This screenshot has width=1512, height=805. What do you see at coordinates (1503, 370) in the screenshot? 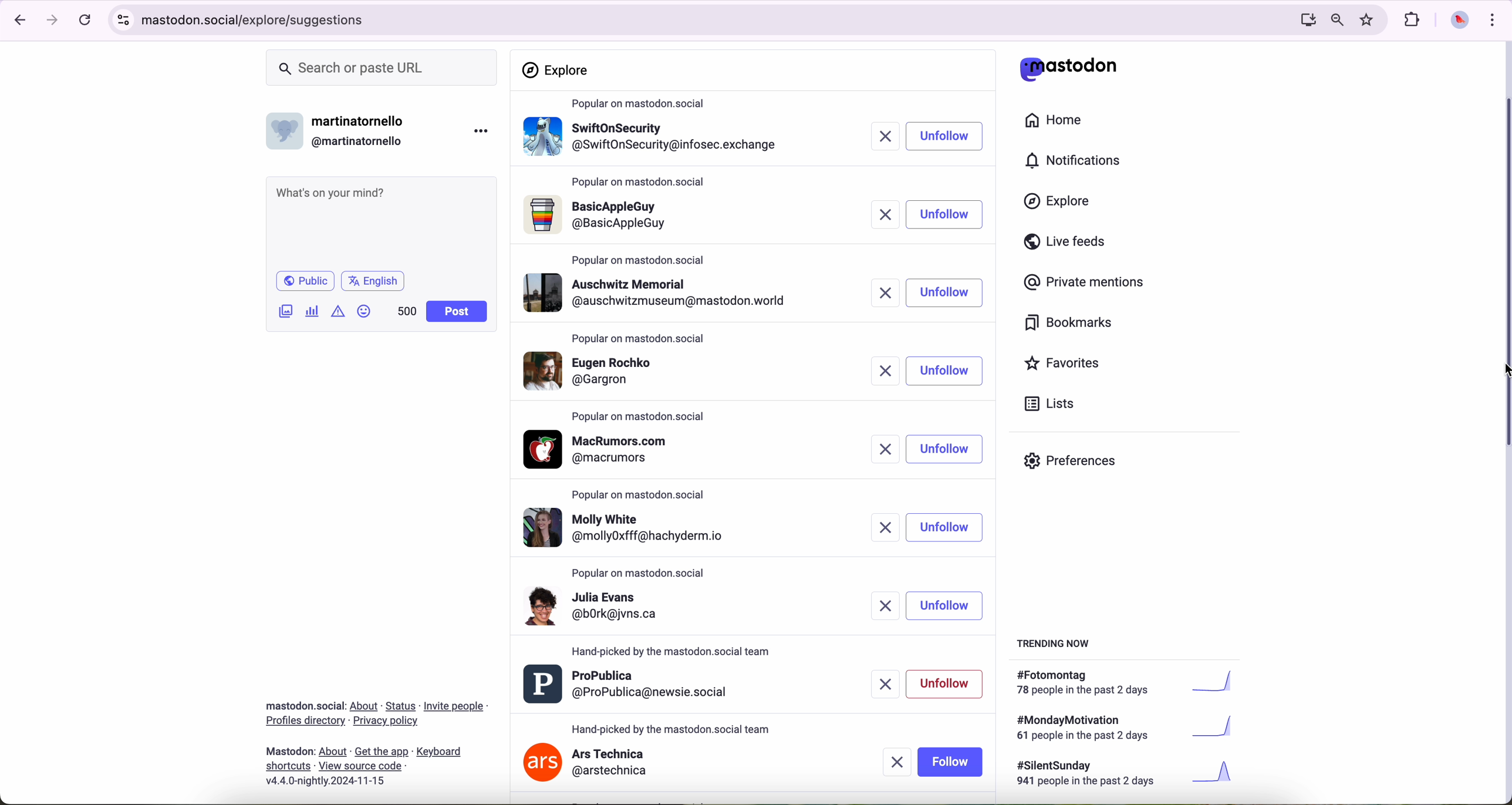
I see `mouse` at bounding box center [1503, 370].